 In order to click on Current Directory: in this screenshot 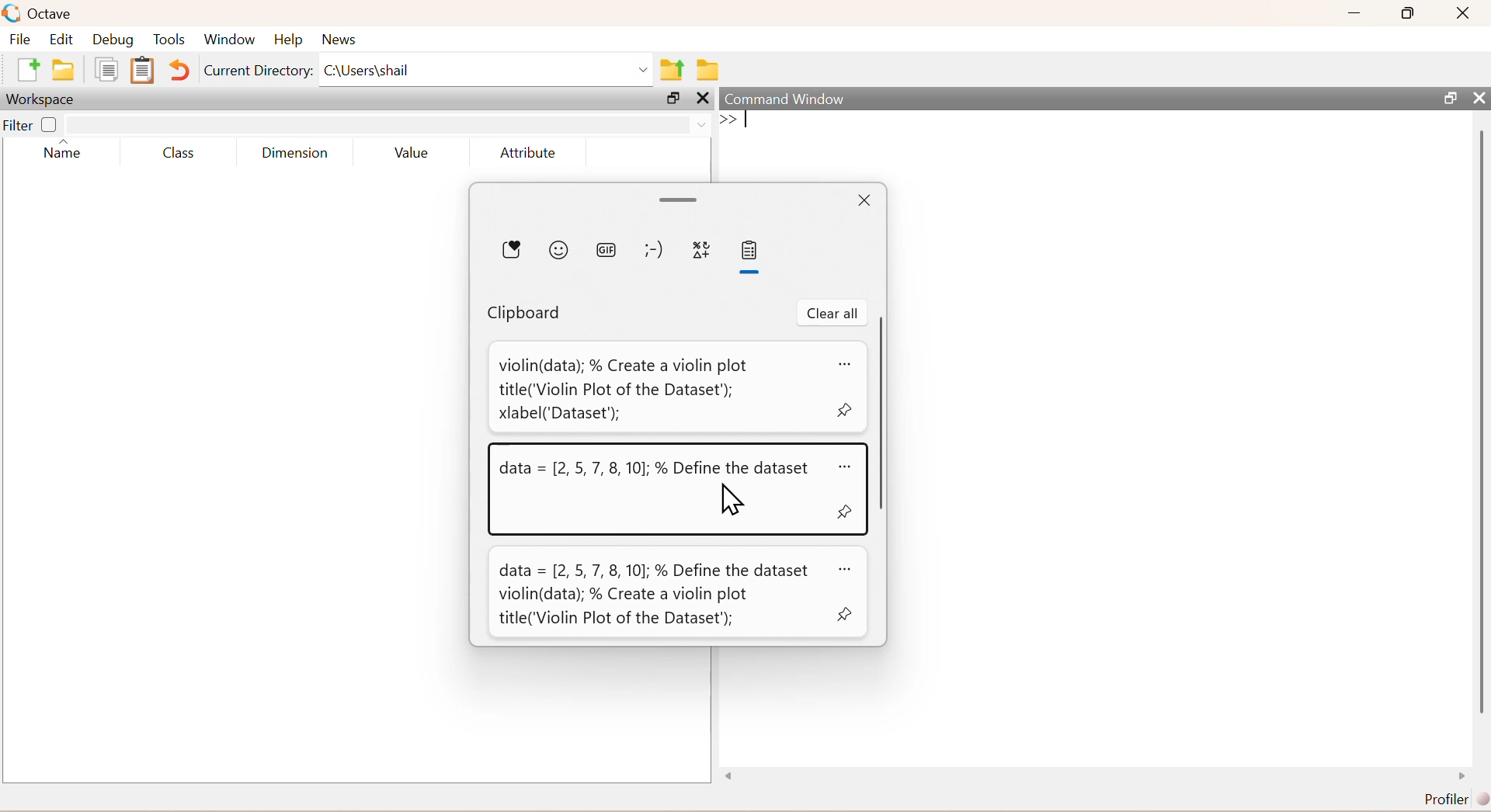, I will do `click(259, 71)`.